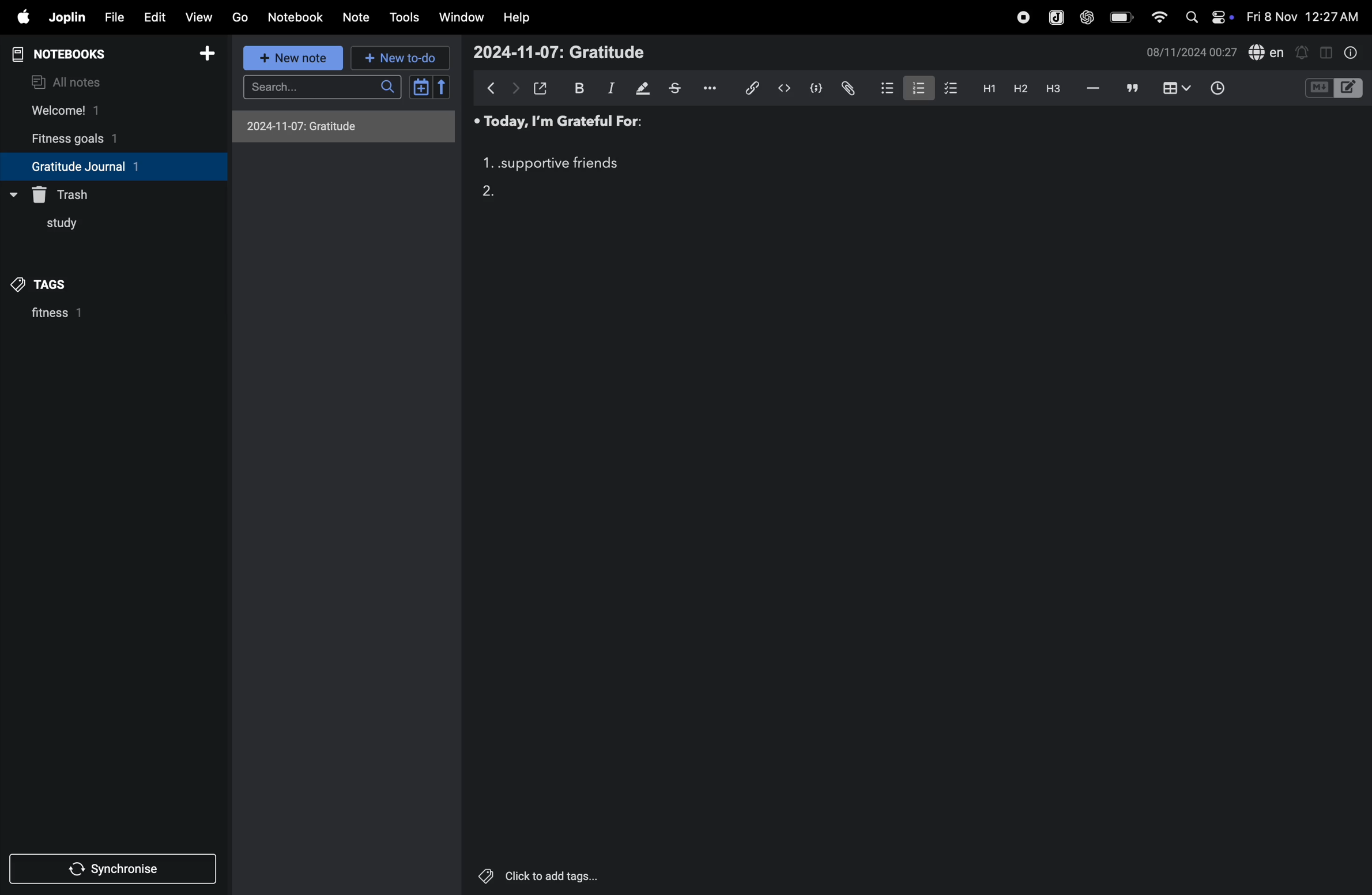 The width and height of the screenshot is (1372, 895). What do you see at coordinates (18, 17) in the screenshot?
I see `apple menu` at bounding box center [18, 17].